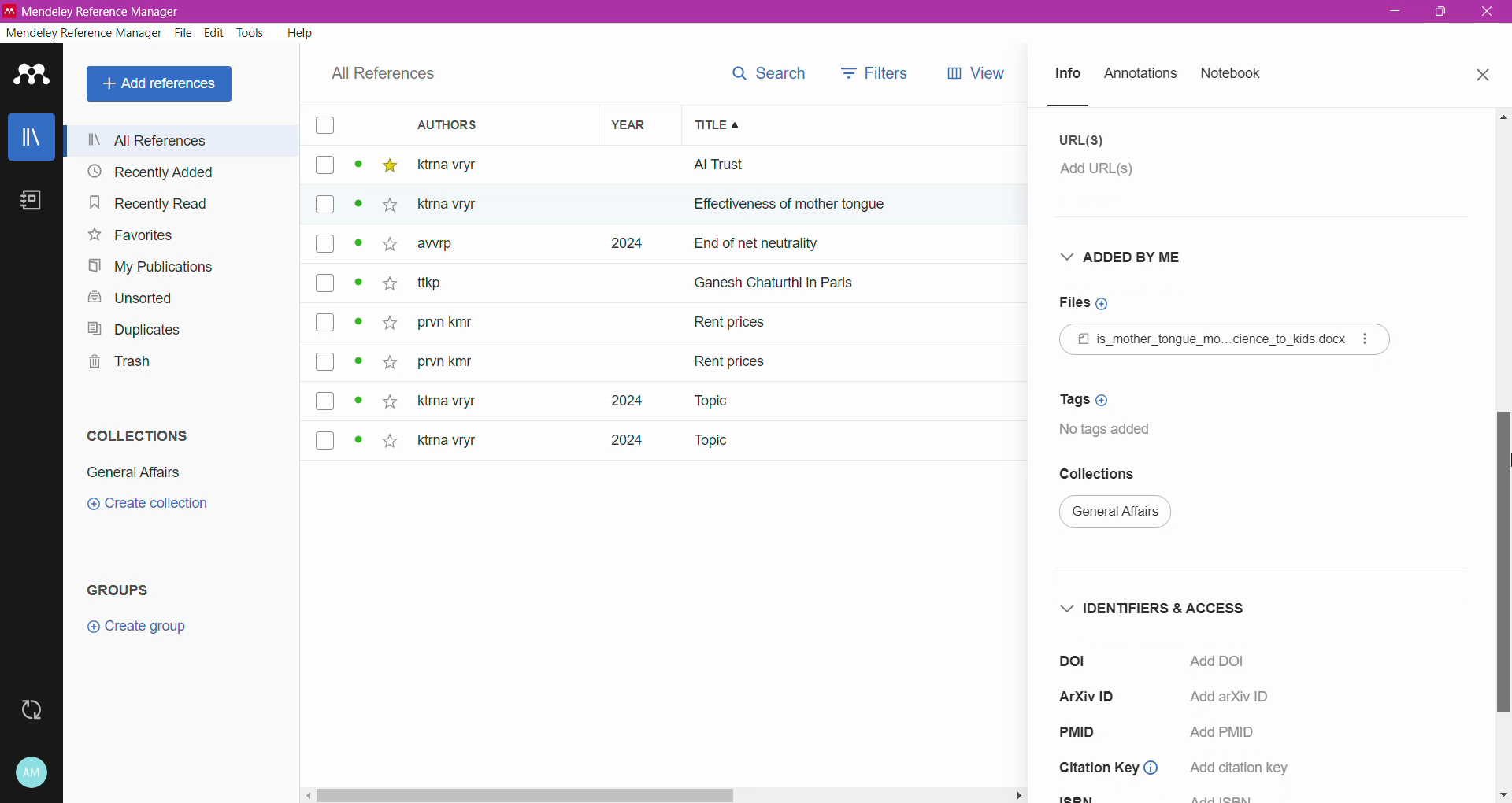  What do you see at coordinates (1140, 75) in the screenshot?
I see `Annotations` at bounding box center [1140, 75].